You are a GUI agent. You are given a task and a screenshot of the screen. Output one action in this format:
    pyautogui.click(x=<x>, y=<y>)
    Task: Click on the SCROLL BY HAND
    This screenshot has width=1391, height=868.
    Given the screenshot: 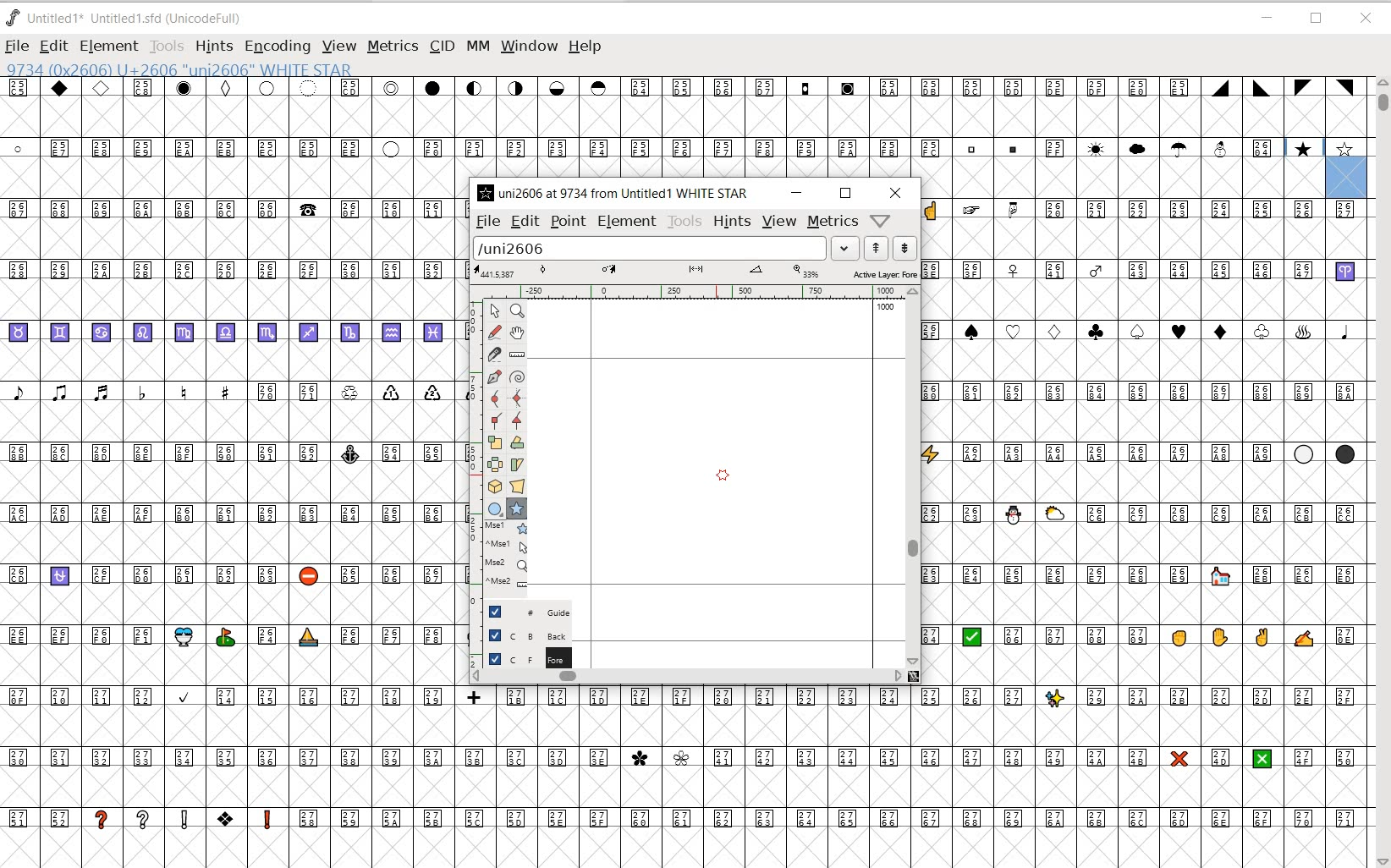 What is the action you would take?
    pyautogui.click(x=516, y=333)
    